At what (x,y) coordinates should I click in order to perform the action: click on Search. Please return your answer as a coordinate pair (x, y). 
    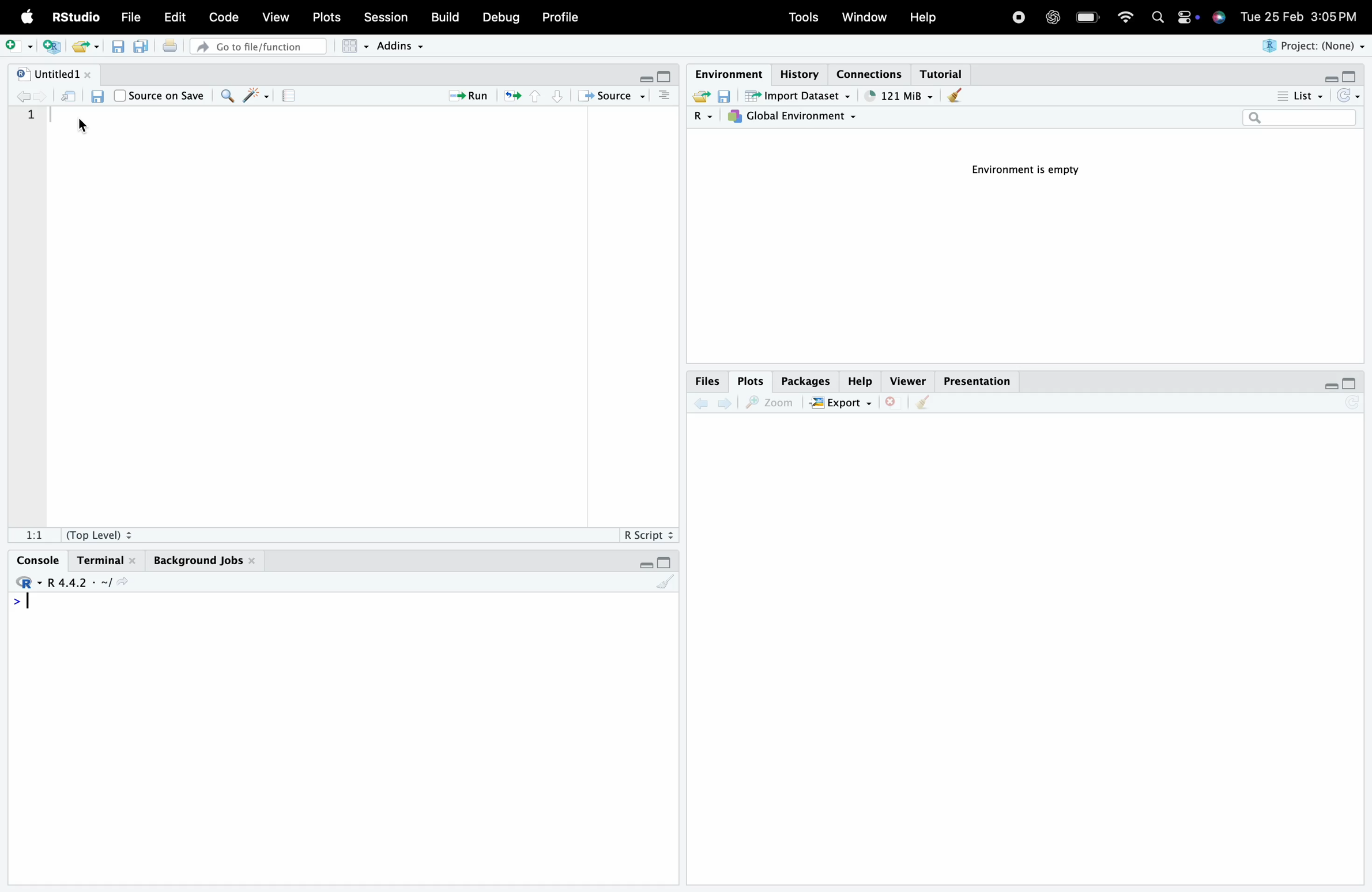
    Looking at the image, I should click on (1159, 18).